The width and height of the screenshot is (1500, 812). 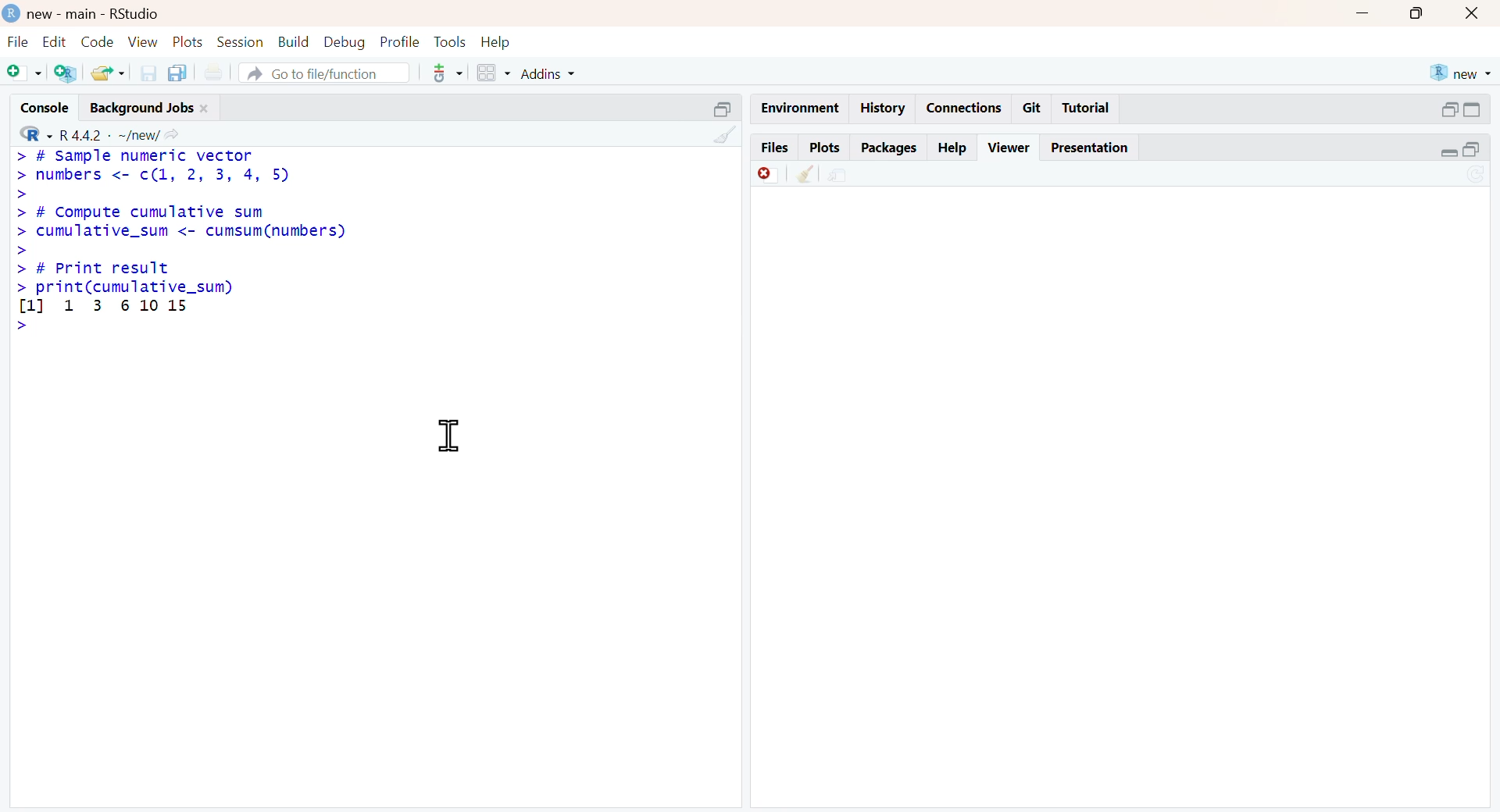 I want to click on view, so click(x=144, y=41).